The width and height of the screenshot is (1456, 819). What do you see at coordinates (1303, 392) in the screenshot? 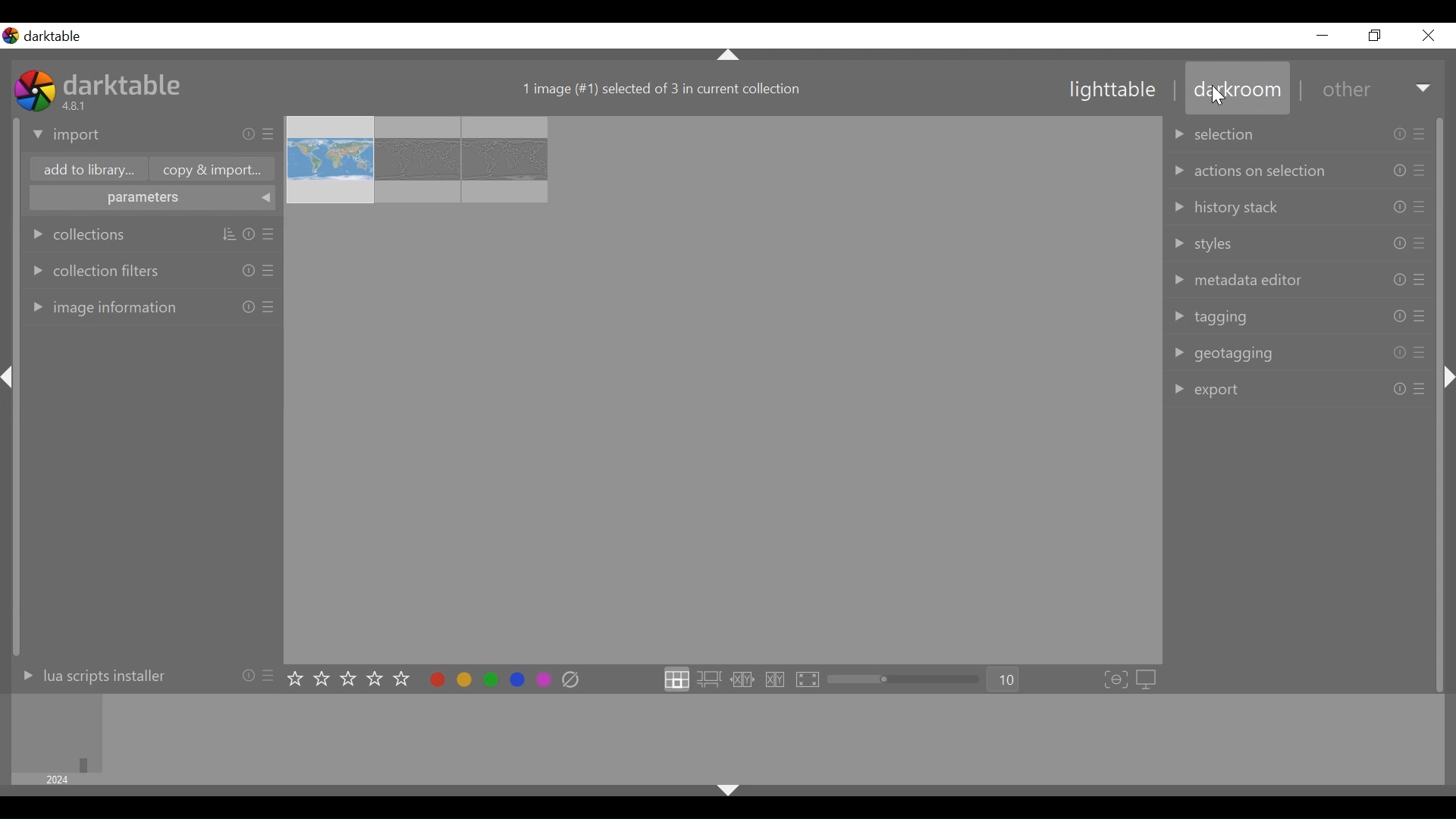
I see `export` at bounding box center [1303, 392].